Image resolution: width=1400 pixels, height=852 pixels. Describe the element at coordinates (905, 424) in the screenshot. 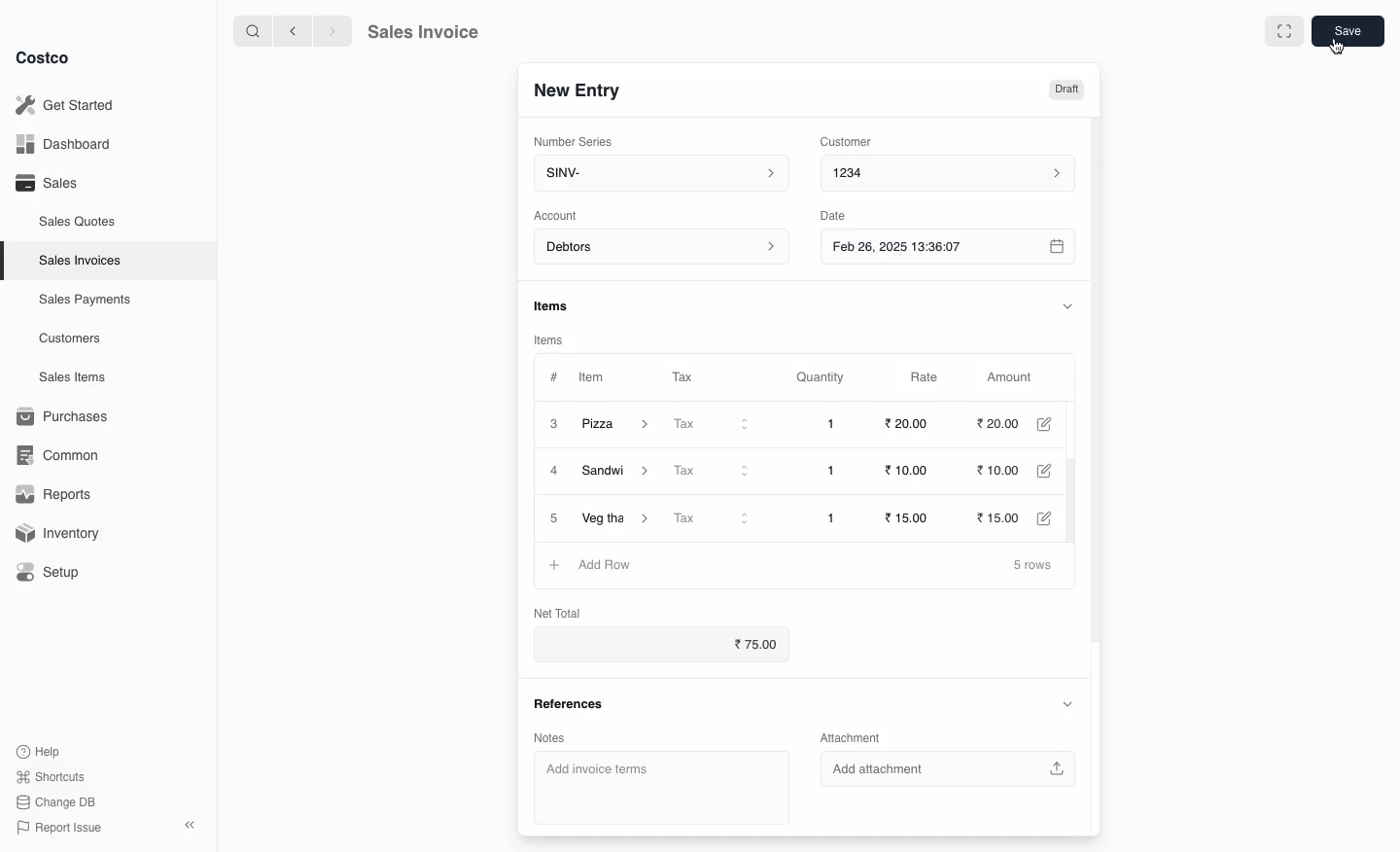

I see `20.00` at that location.